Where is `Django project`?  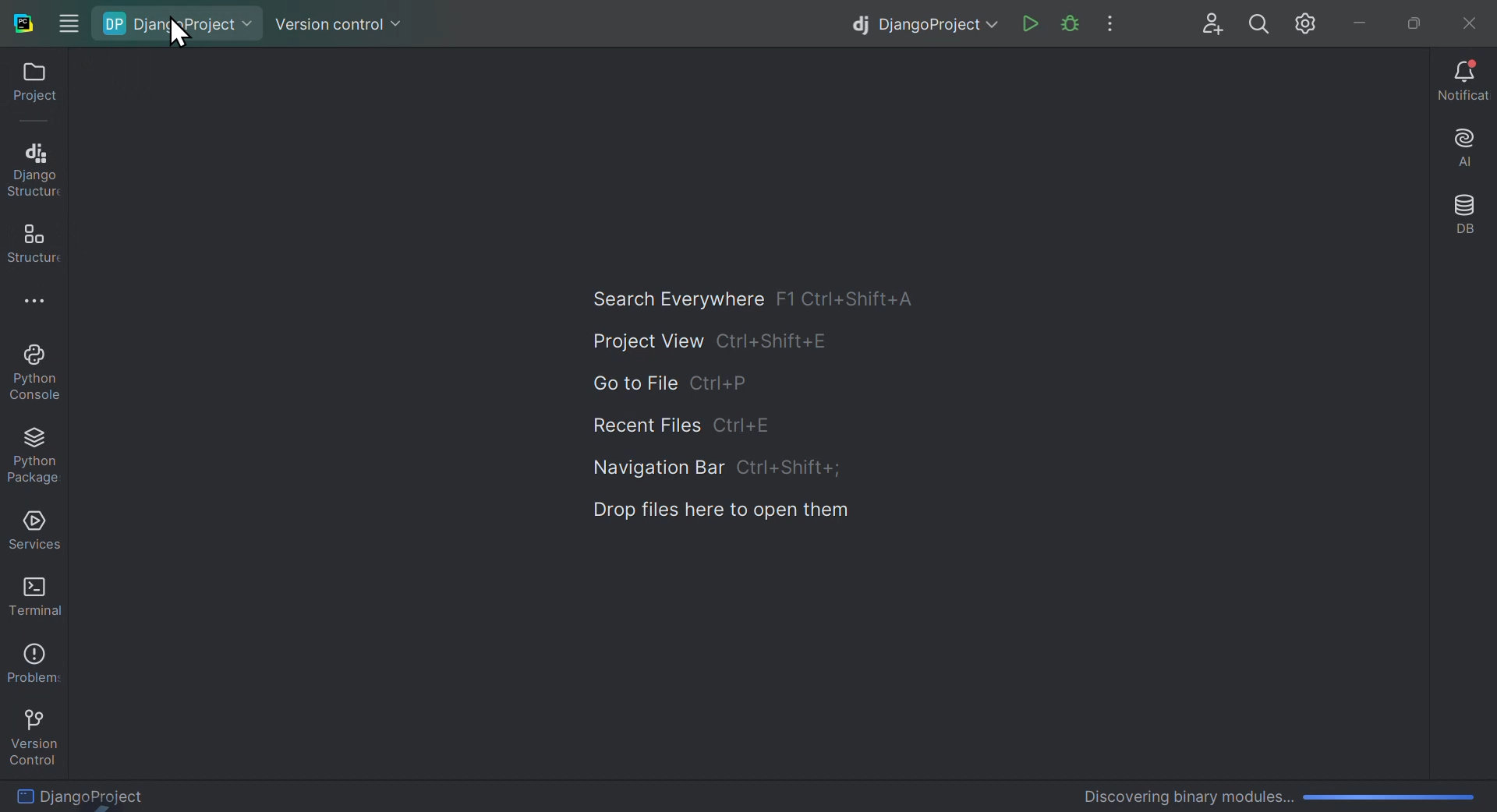 Django project is located at coordinates (183, 24).